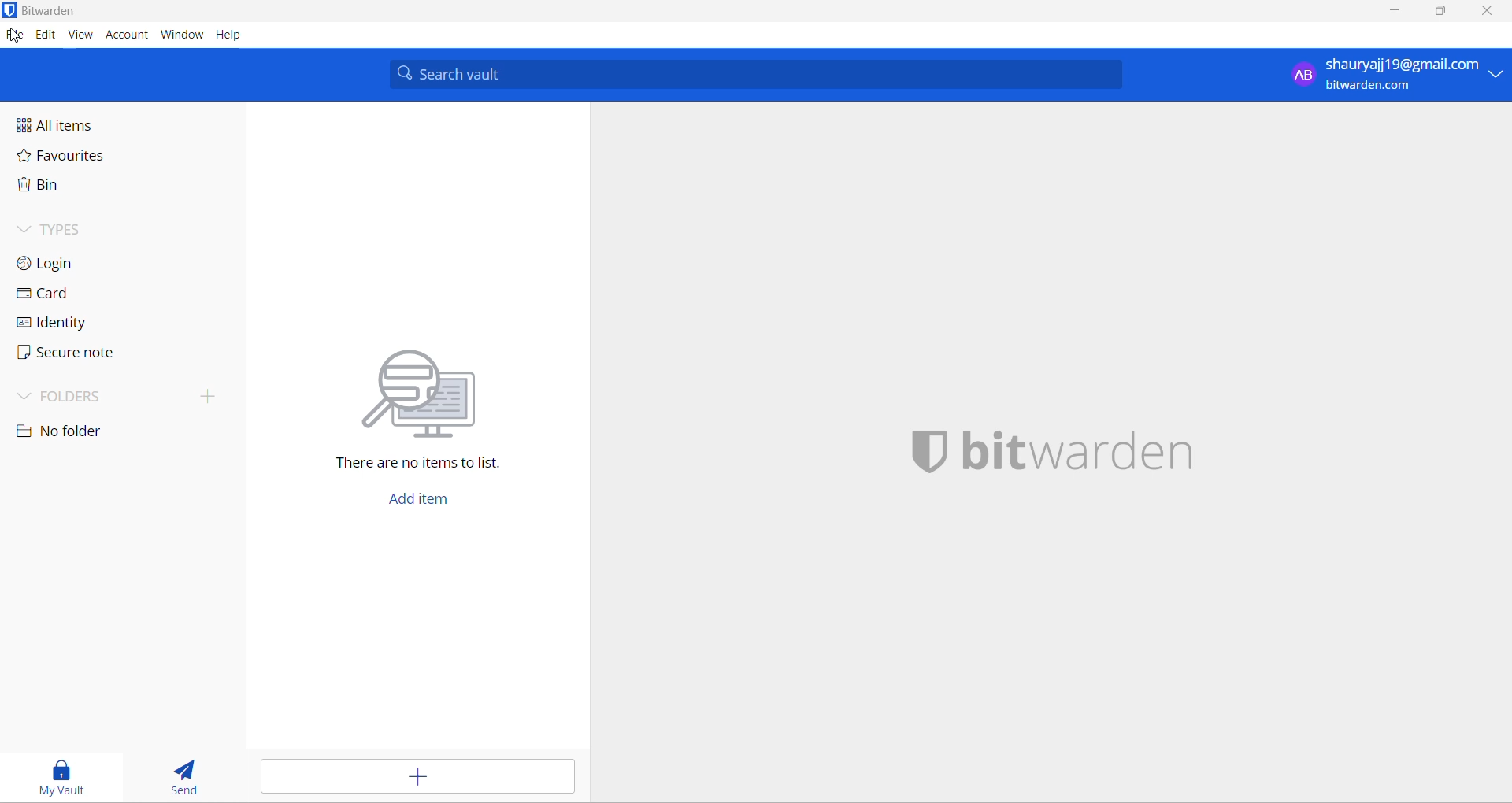 The height and width of the screenshot is (803, 1512). Describe the element at coordinates (10, 11) in the screenshot. I see `application logo` at that location.